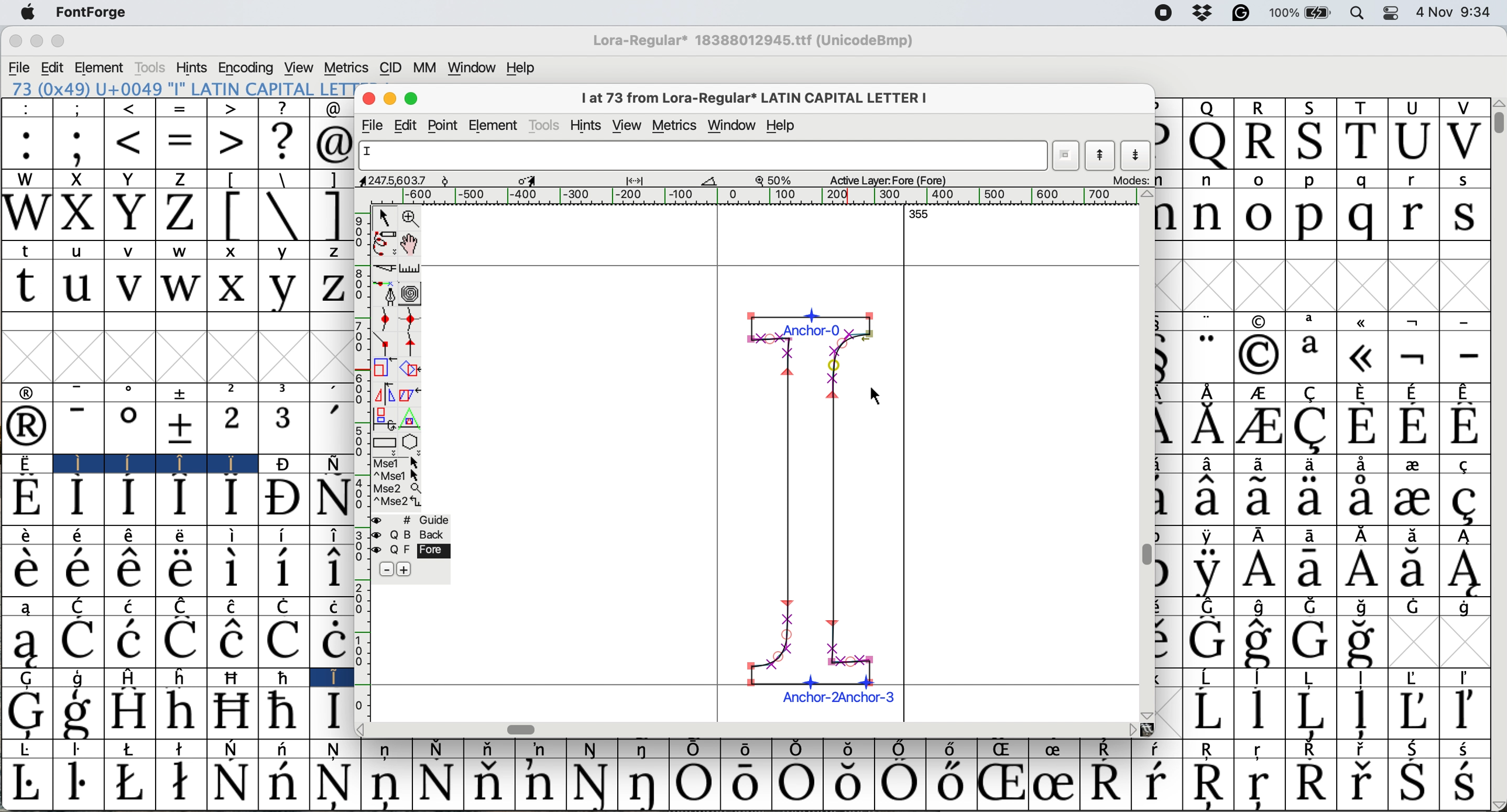 This screenshot has height=812, width=1507. I want to click on Symbol, so click(284, 641).